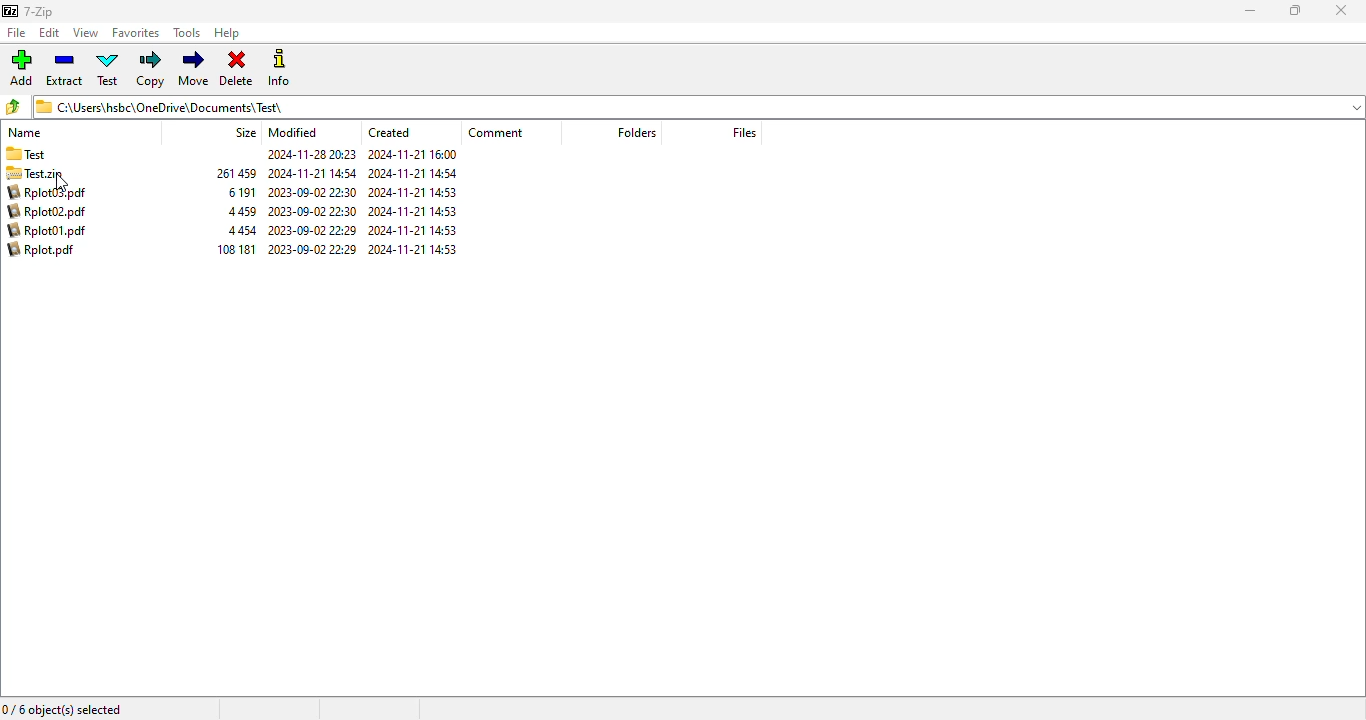 This screenshot has width=1366, height=720. Describe the element at coordinates (71, 708) in the screenshot. I see `0/6 object(s) selected` at that location.